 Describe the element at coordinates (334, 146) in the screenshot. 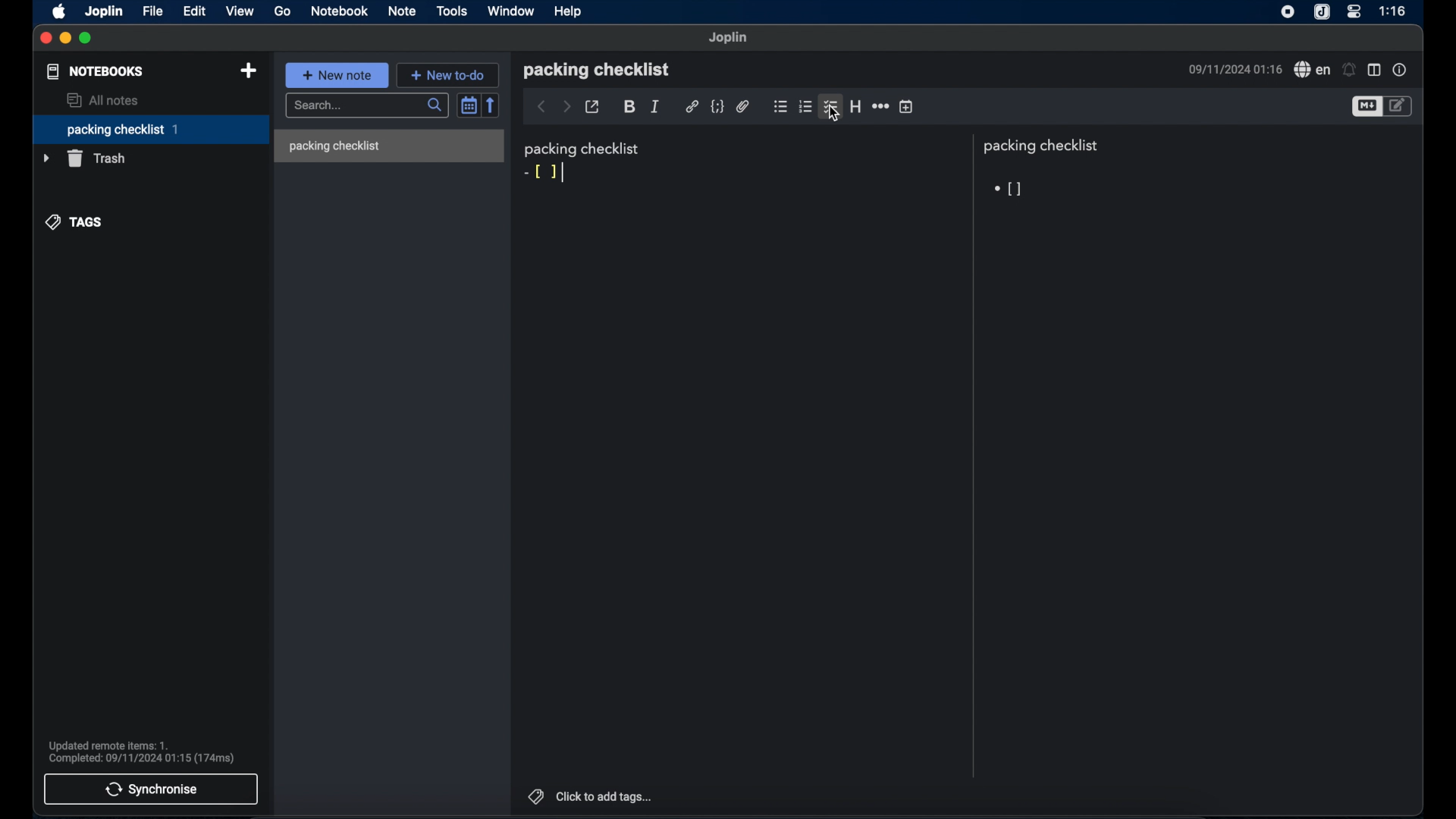

I see `packing checklist` at that location.